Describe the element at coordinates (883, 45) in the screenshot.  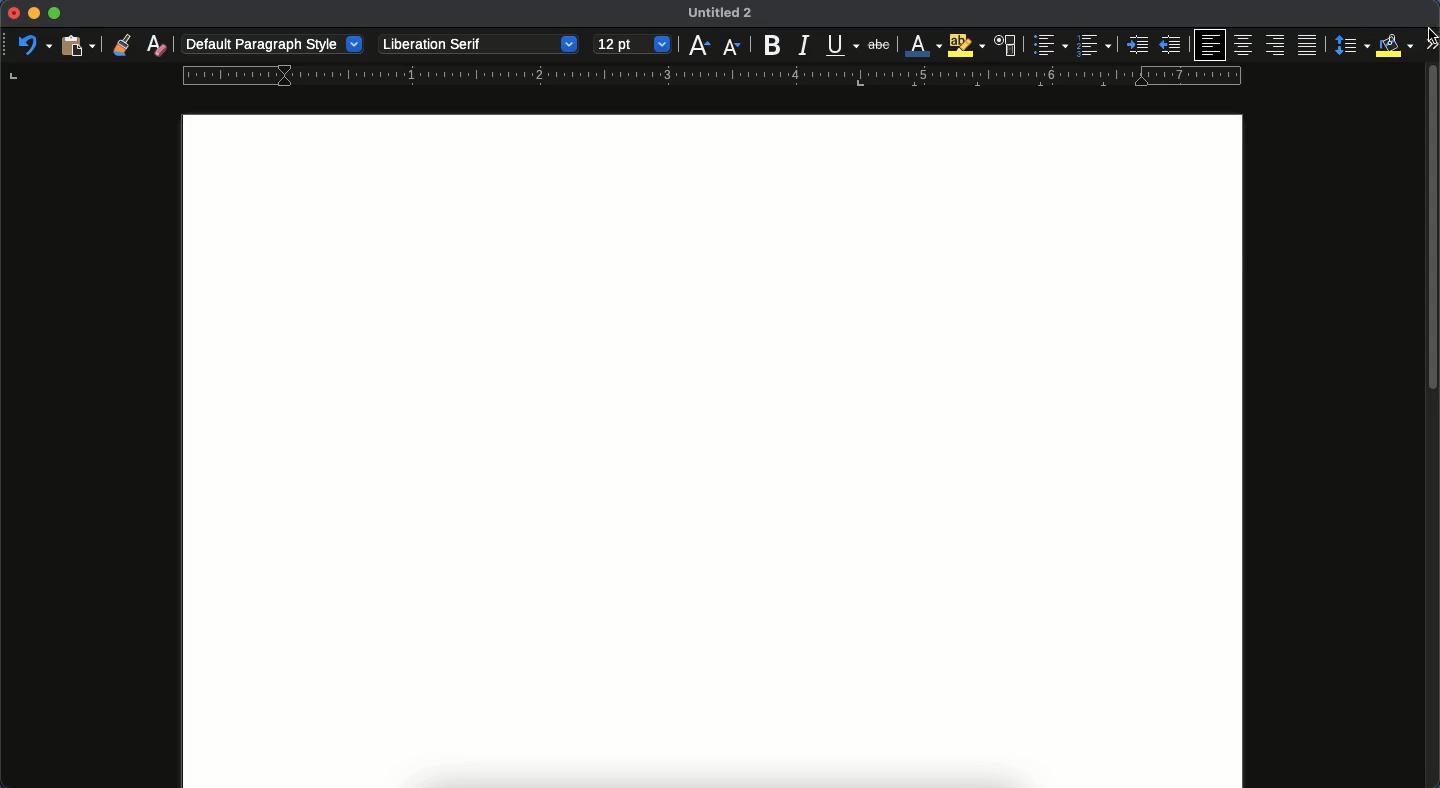
I see `strikethrough` at that location.